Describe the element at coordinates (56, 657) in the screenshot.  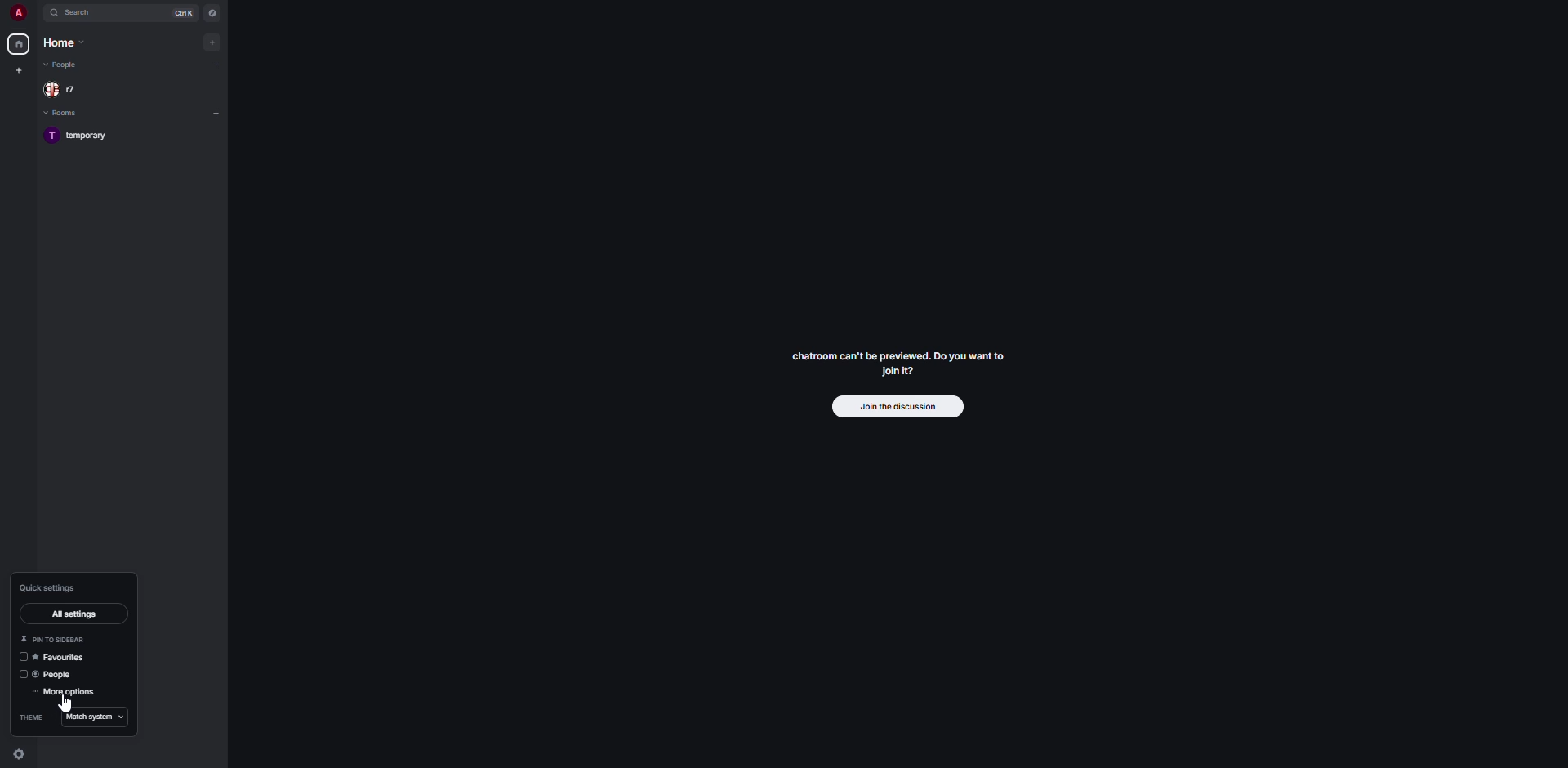
I see `favorites` at that location.